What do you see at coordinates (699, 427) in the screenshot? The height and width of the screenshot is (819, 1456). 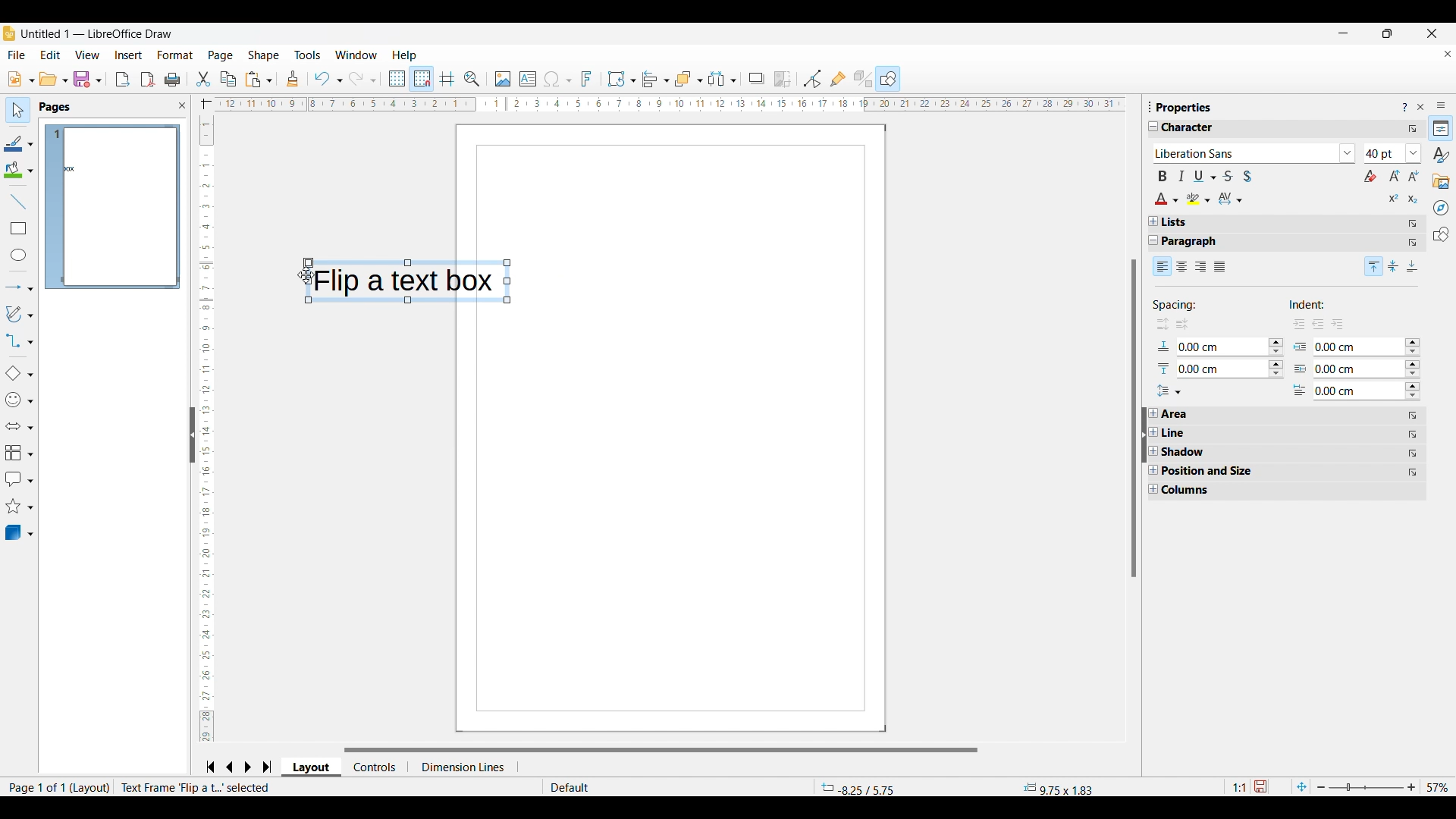 I see `Current page` at bounding box center [699, 427].